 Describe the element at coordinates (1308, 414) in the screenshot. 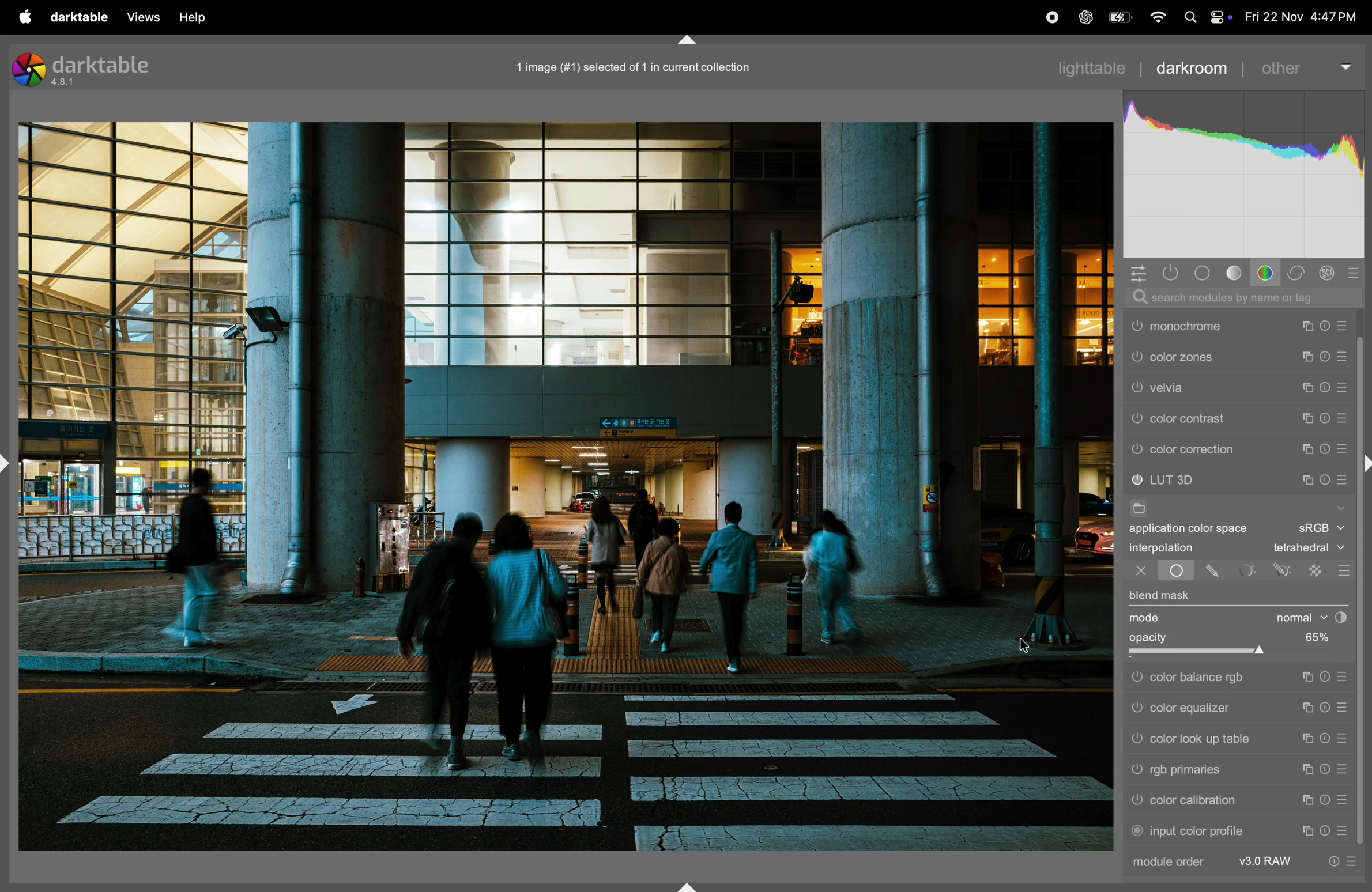

I see `multiple intance actions` at that location.